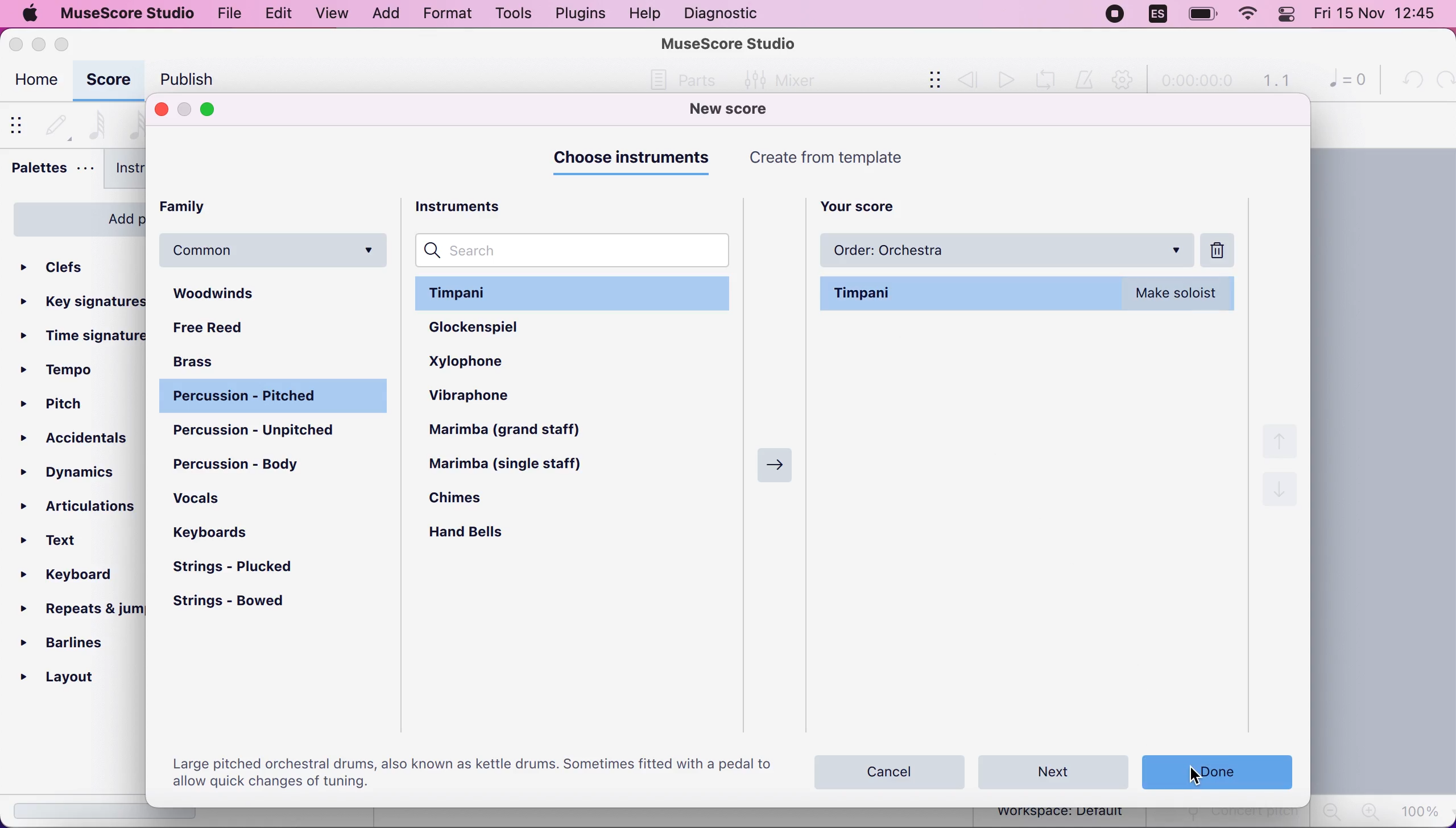  Describe the element at coordinates (1114, 14) in the screenshot. I see `recording stopped` at that location.